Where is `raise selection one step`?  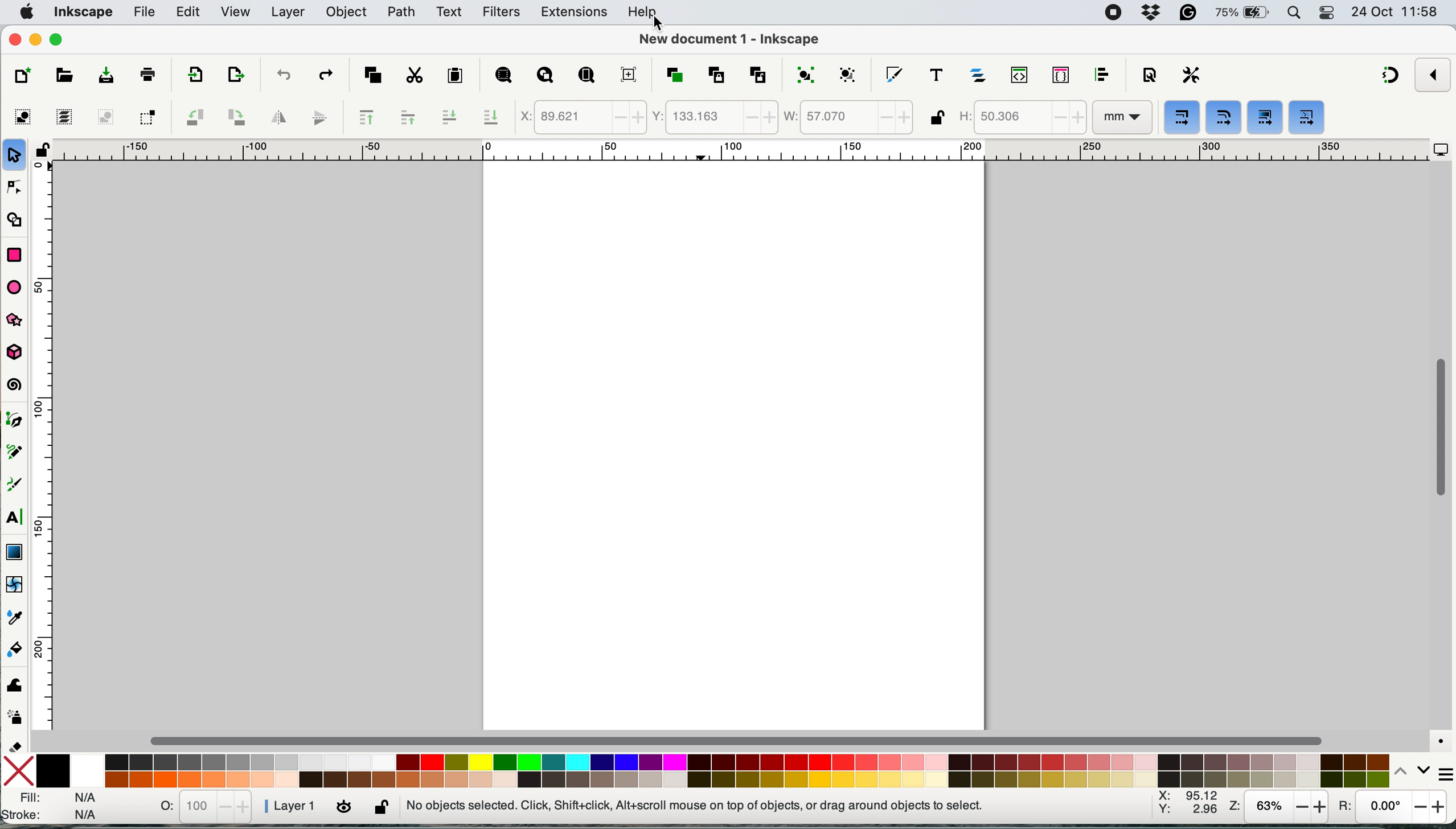
raise selection one step is located at coordinates (411, 119).